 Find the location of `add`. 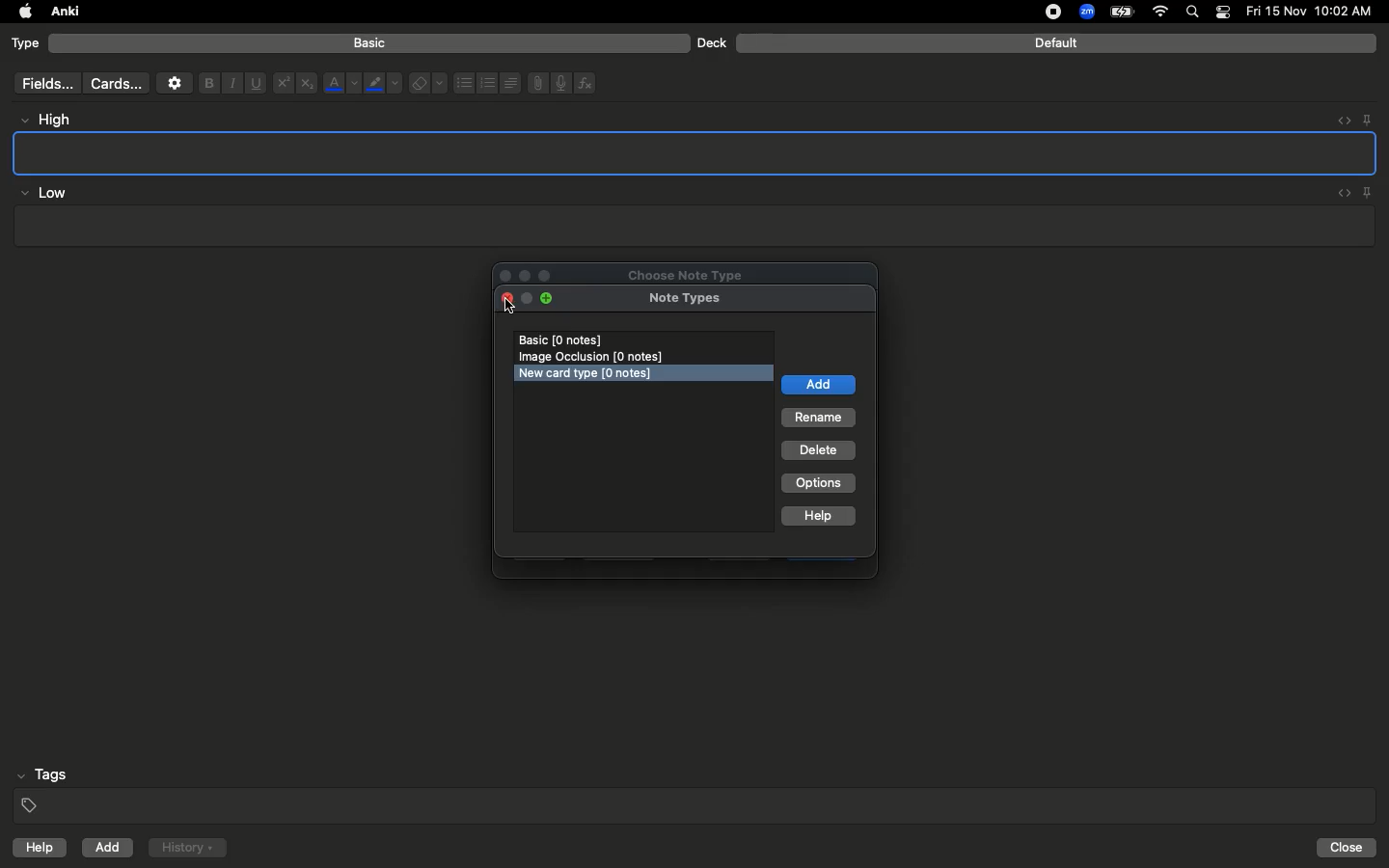

add is located at coordinates (818, 385).